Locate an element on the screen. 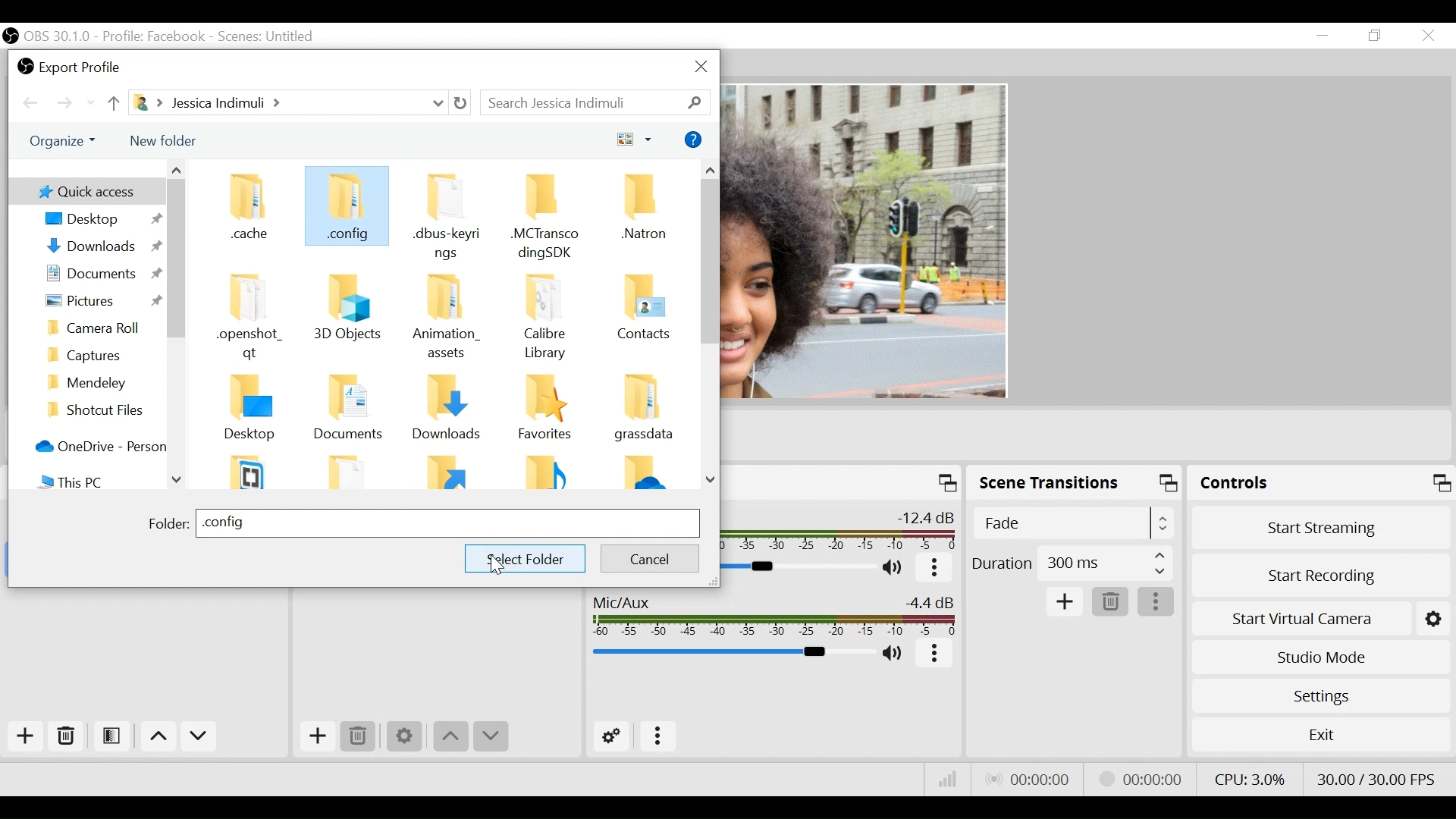  Folder is located at coordinates (102, 328).